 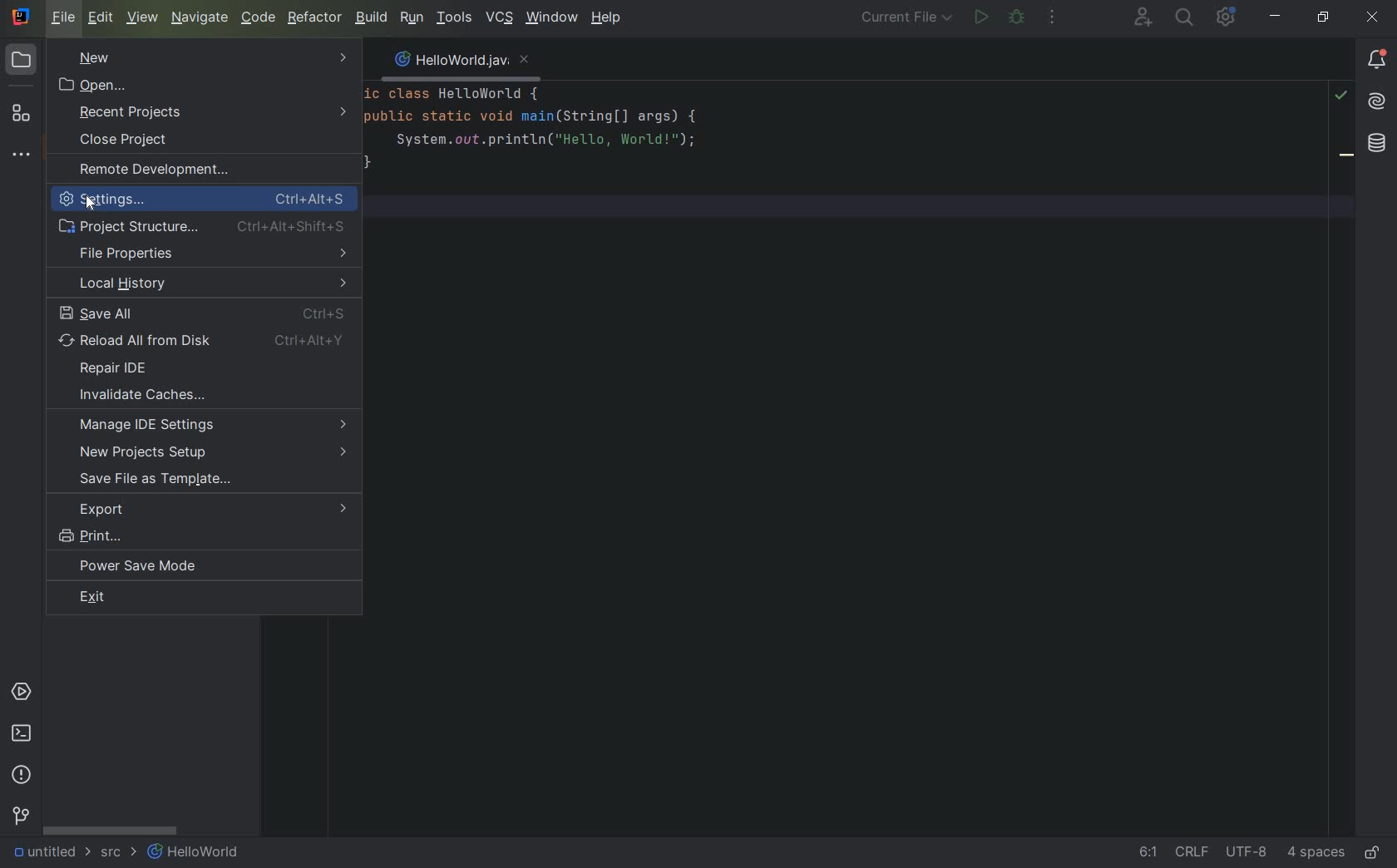 I want to click on reload all from disk, so click(x=205, y=341).